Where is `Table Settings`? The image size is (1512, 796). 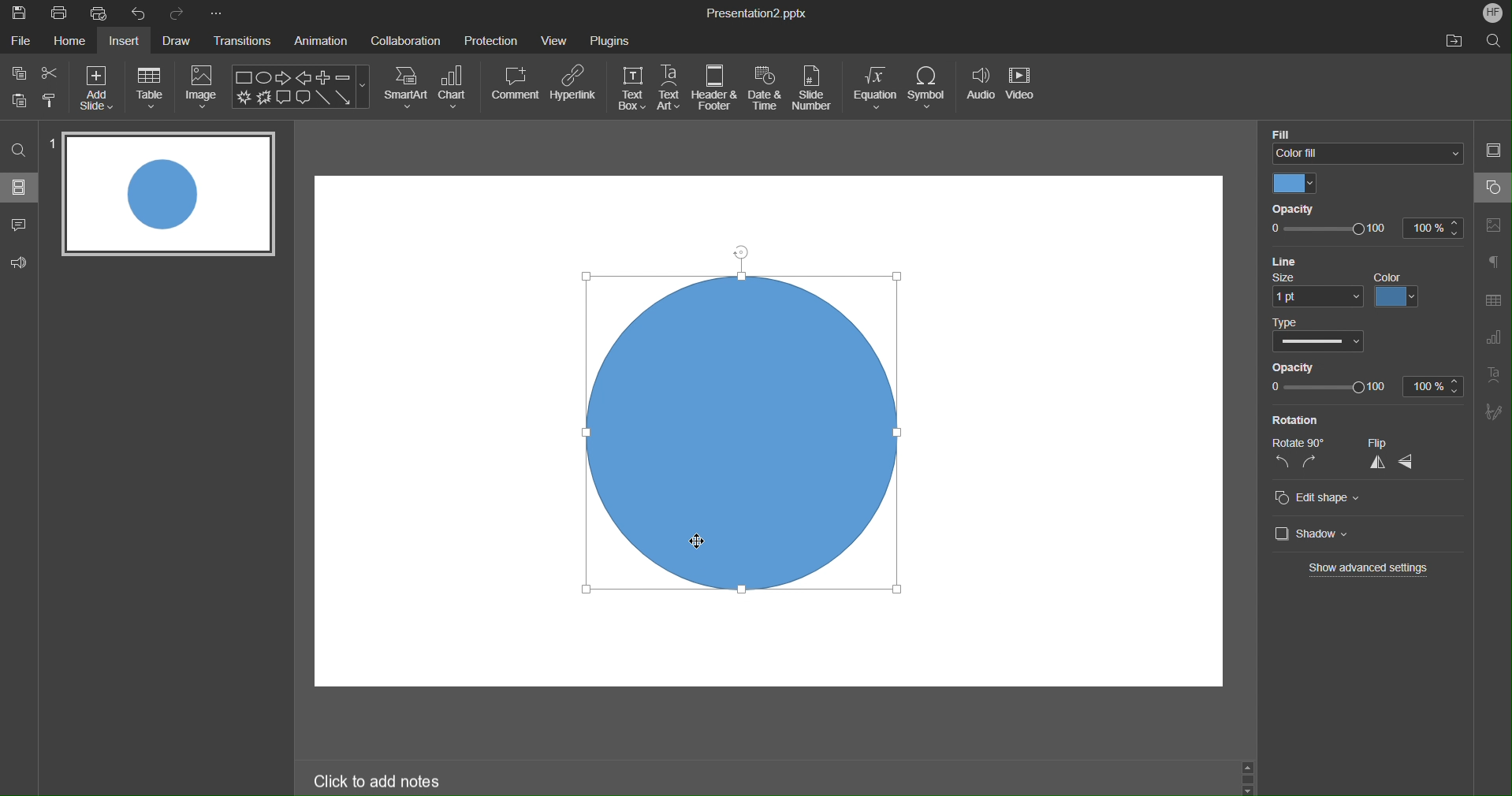
Table Settings is located at coordinates (1492, 300).